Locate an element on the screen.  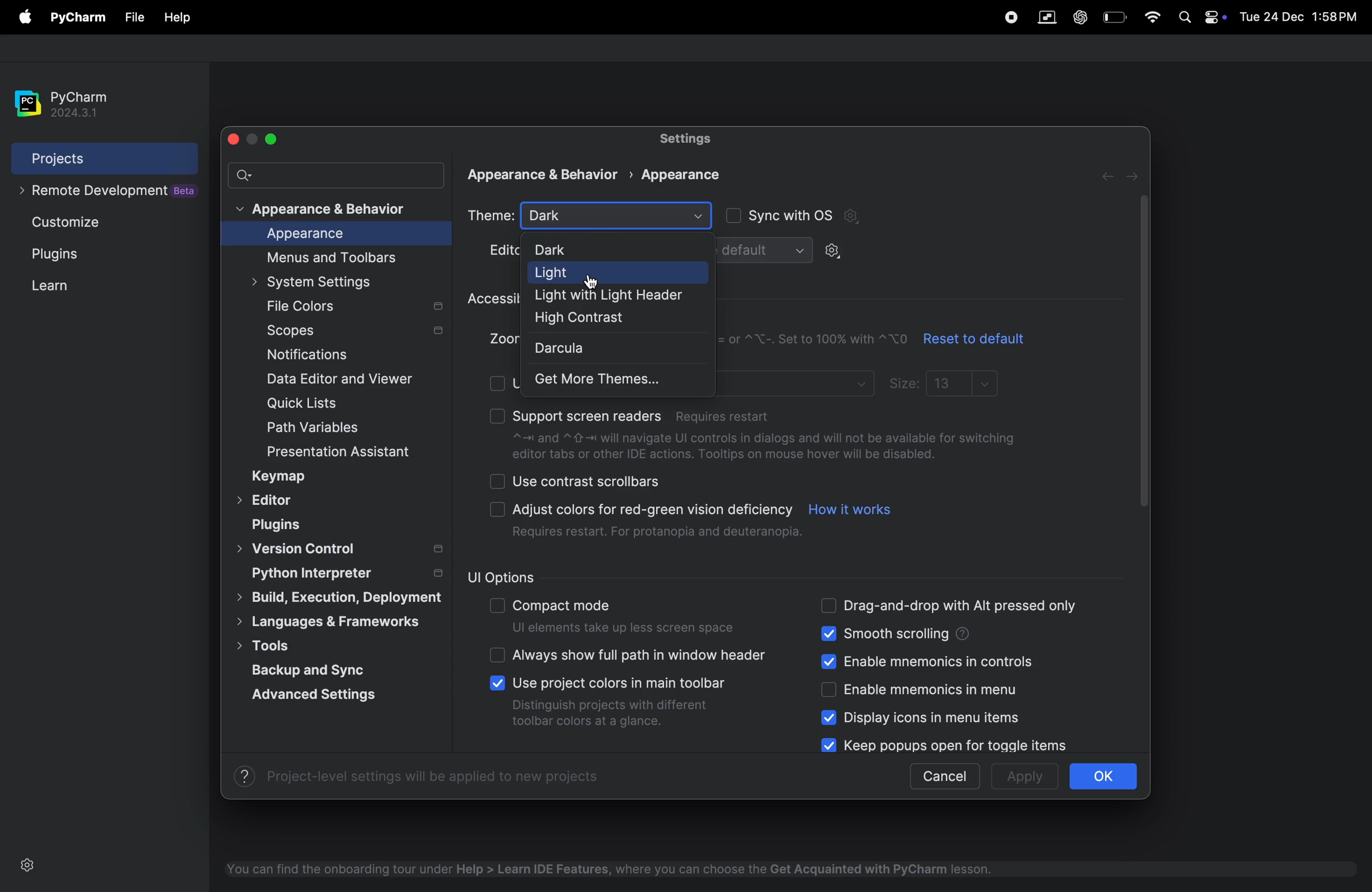
Appearance & Behavior is located at coordinates (546, 174).